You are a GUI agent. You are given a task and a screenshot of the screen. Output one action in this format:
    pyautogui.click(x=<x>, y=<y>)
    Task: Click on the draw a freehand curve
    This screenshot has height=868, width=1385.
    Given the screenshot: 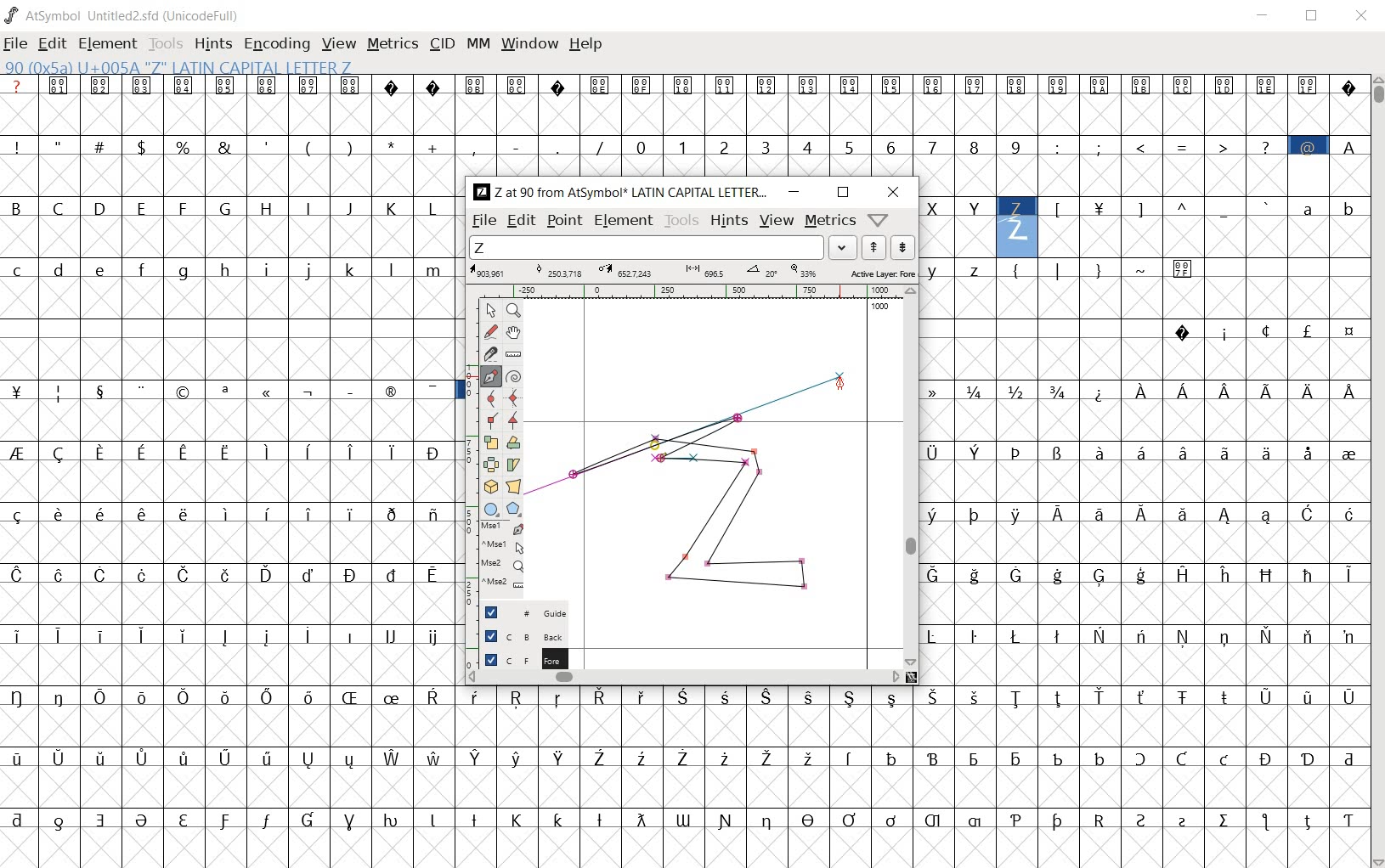 What is the action you would take?
    pyautogui.click(x=490, y=332)
    